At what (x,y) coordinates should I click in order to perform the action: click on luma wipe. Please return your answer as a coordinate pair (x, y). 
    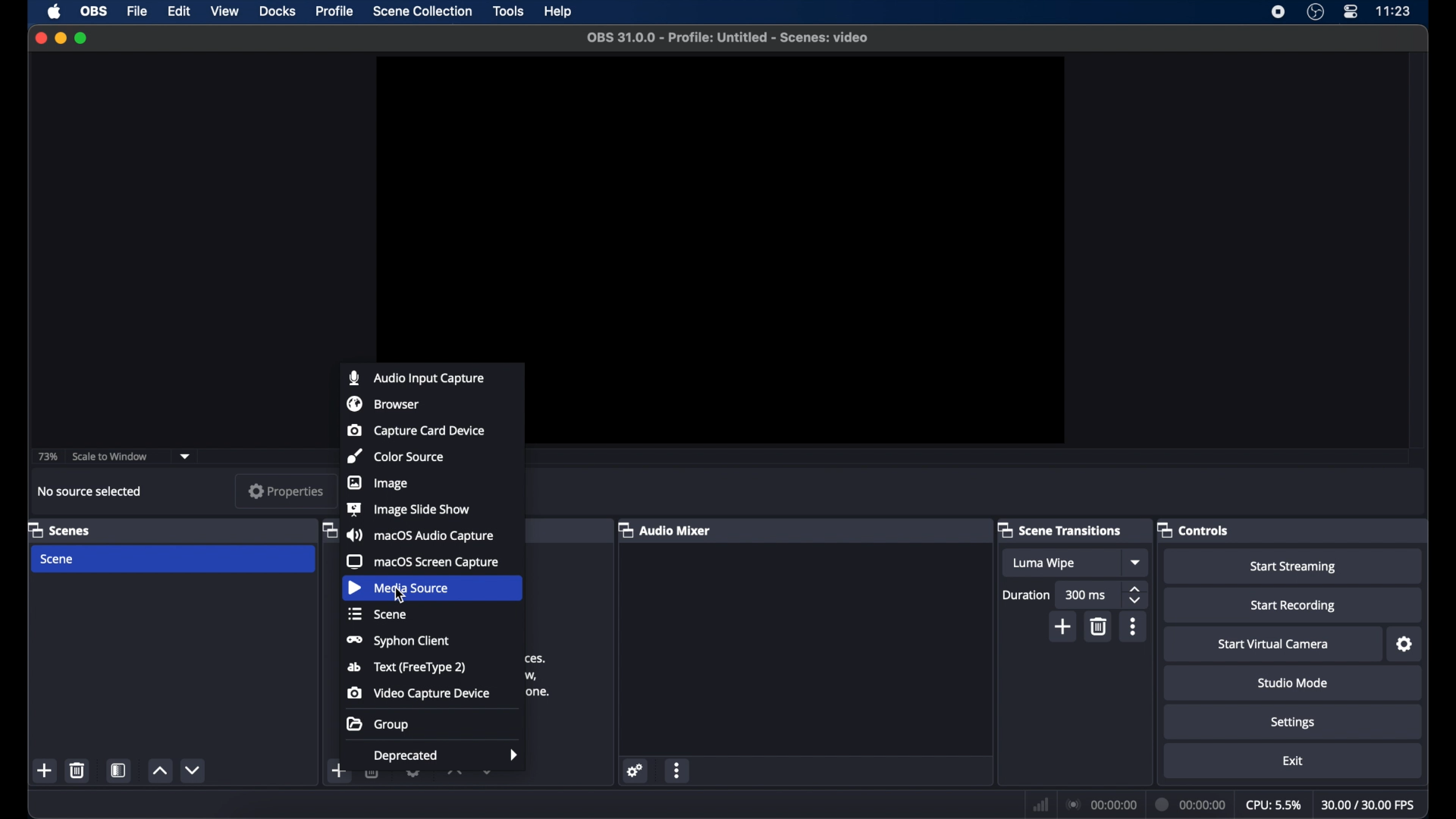
    Looking at the image, I should click on (1043, 563).